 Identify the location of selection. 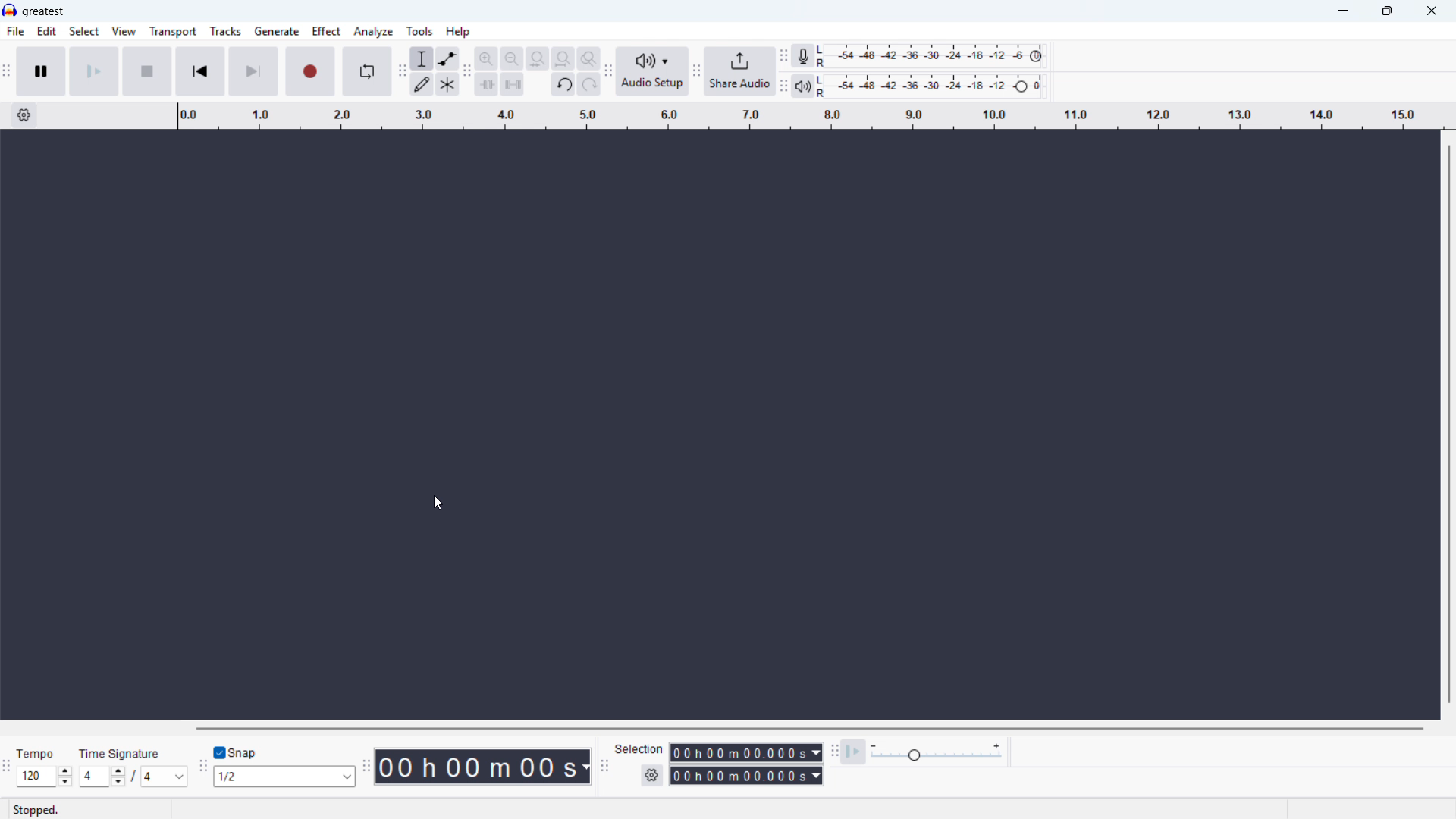
(639, 750).